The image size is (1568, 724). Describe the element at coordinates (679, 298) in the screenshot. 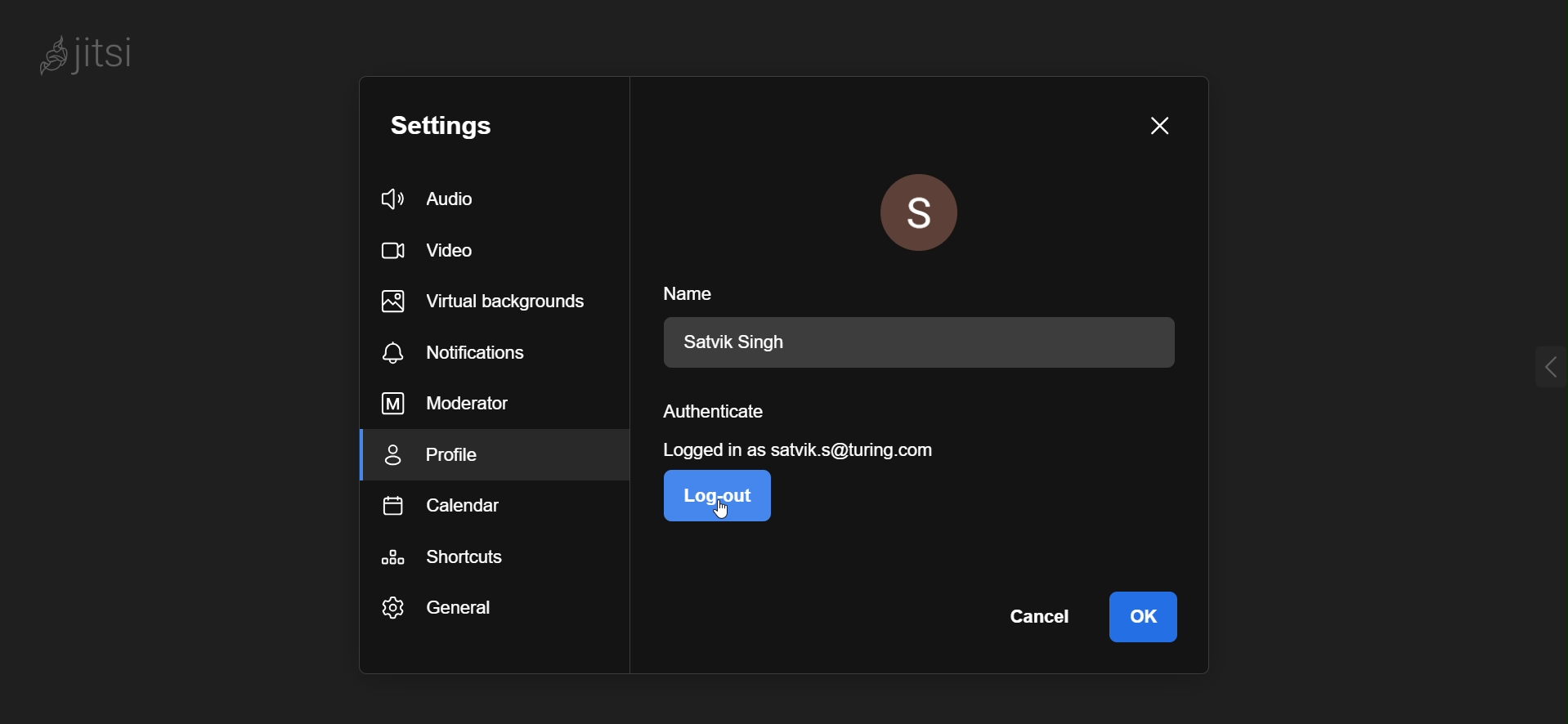

I see `name` at that location.